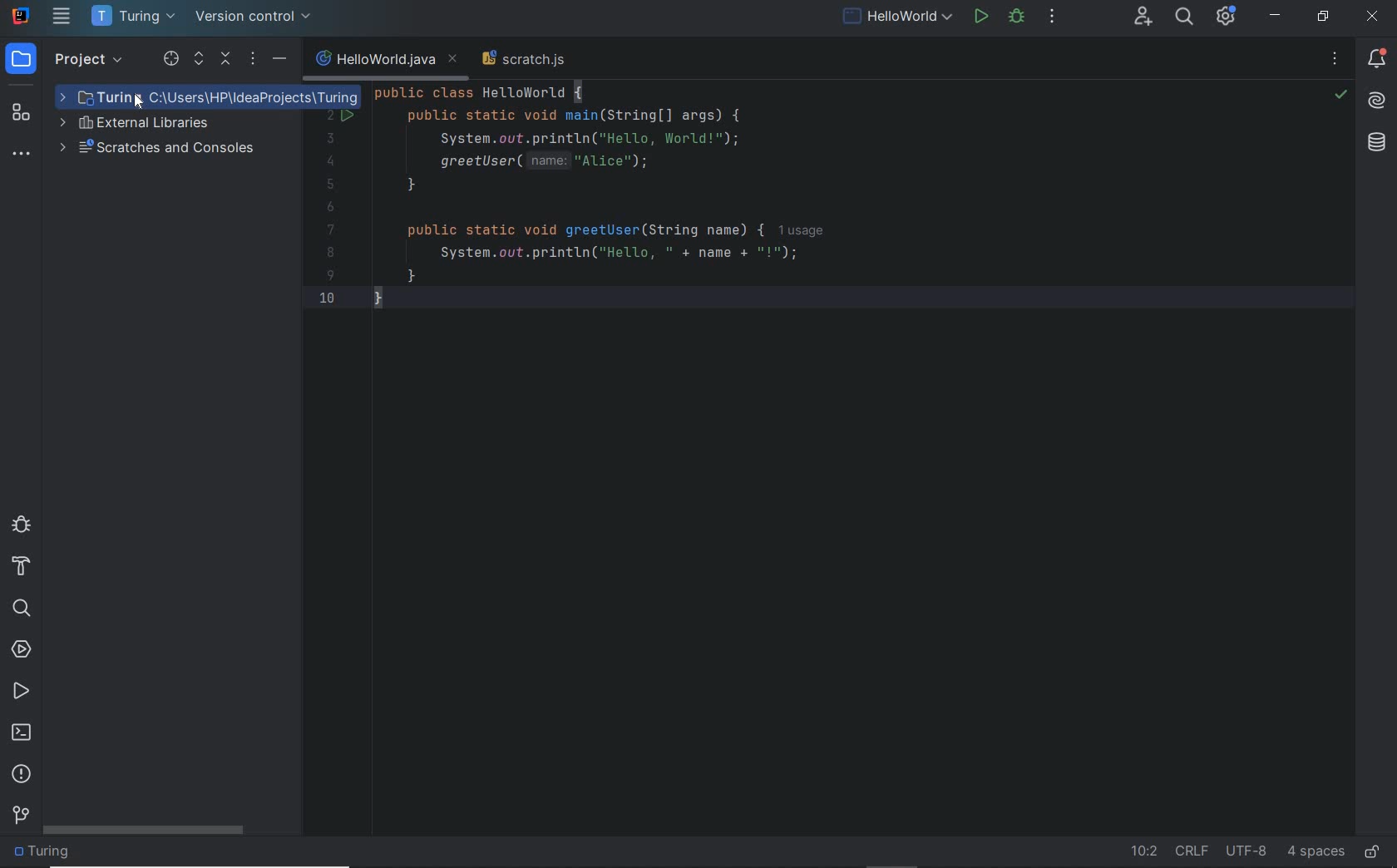 Image resolution: width=1397 pixels, height=868 pixels. Describe the element at coordinates (898, 18) in the screenshot. I see `file name` at that location.